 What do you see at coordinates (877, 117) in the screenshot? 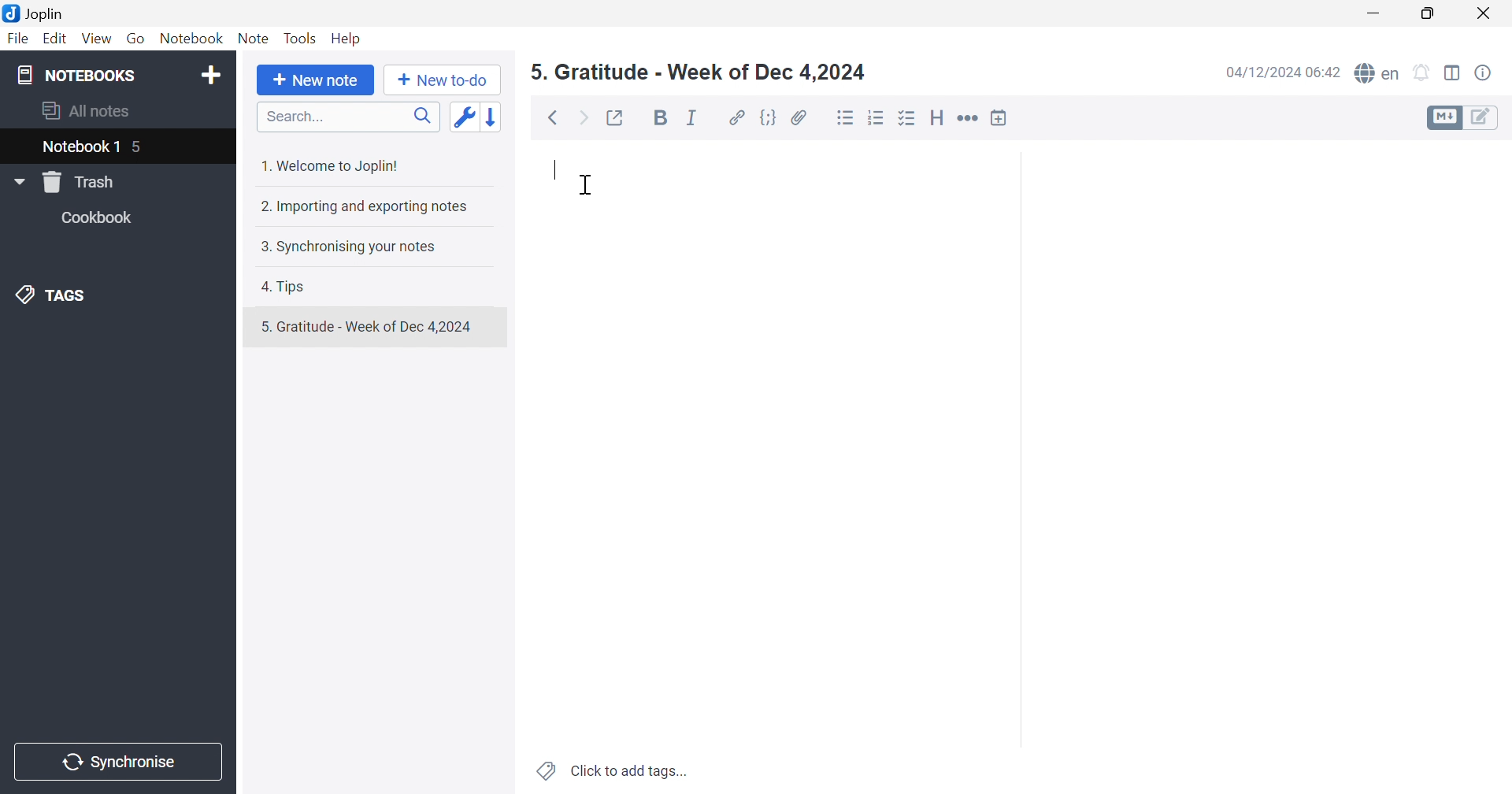
I see `Numbered list` at bounding box center [877, 117].